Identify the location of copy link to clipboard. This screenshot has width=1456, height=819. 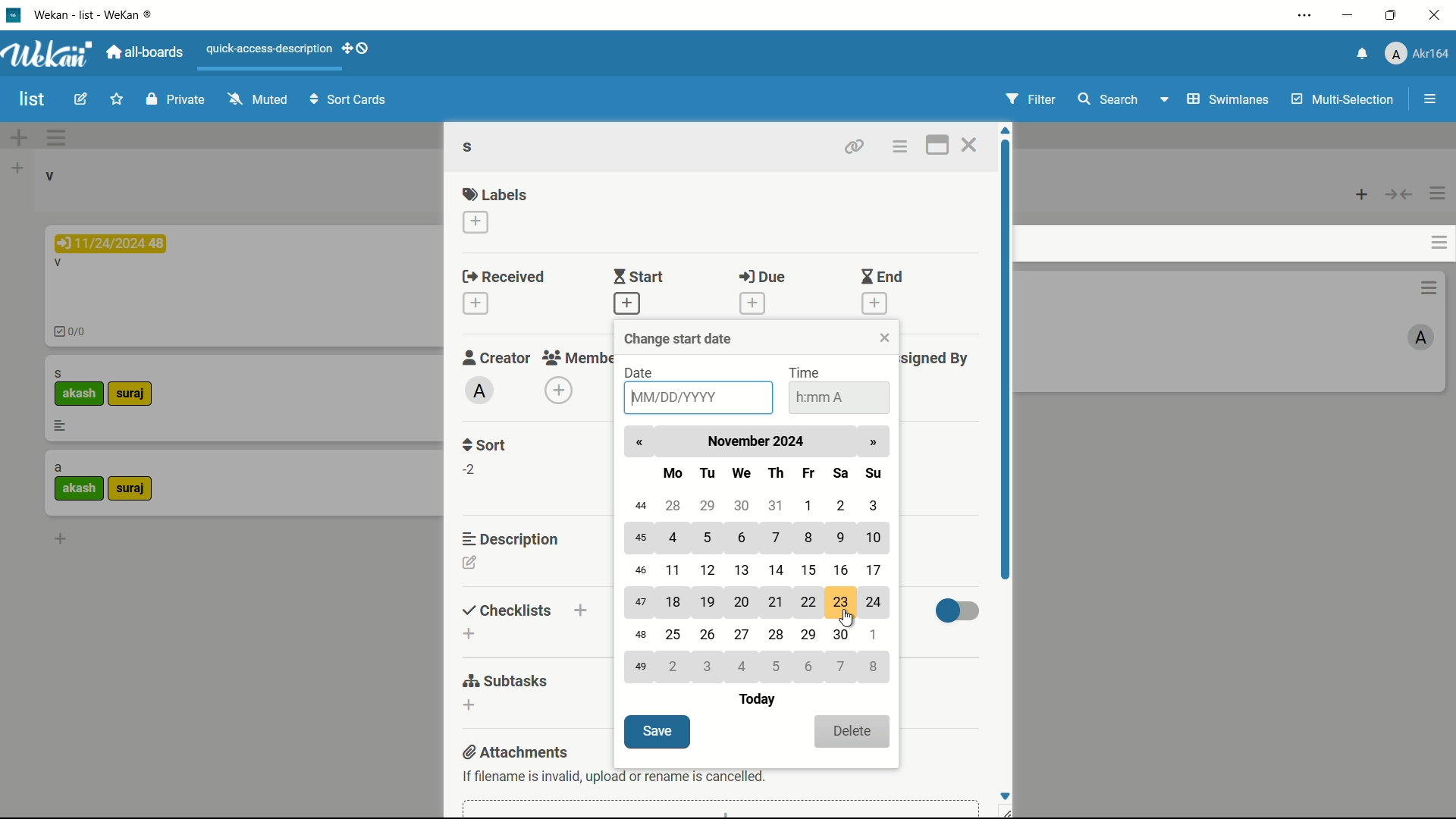
(855, 146).